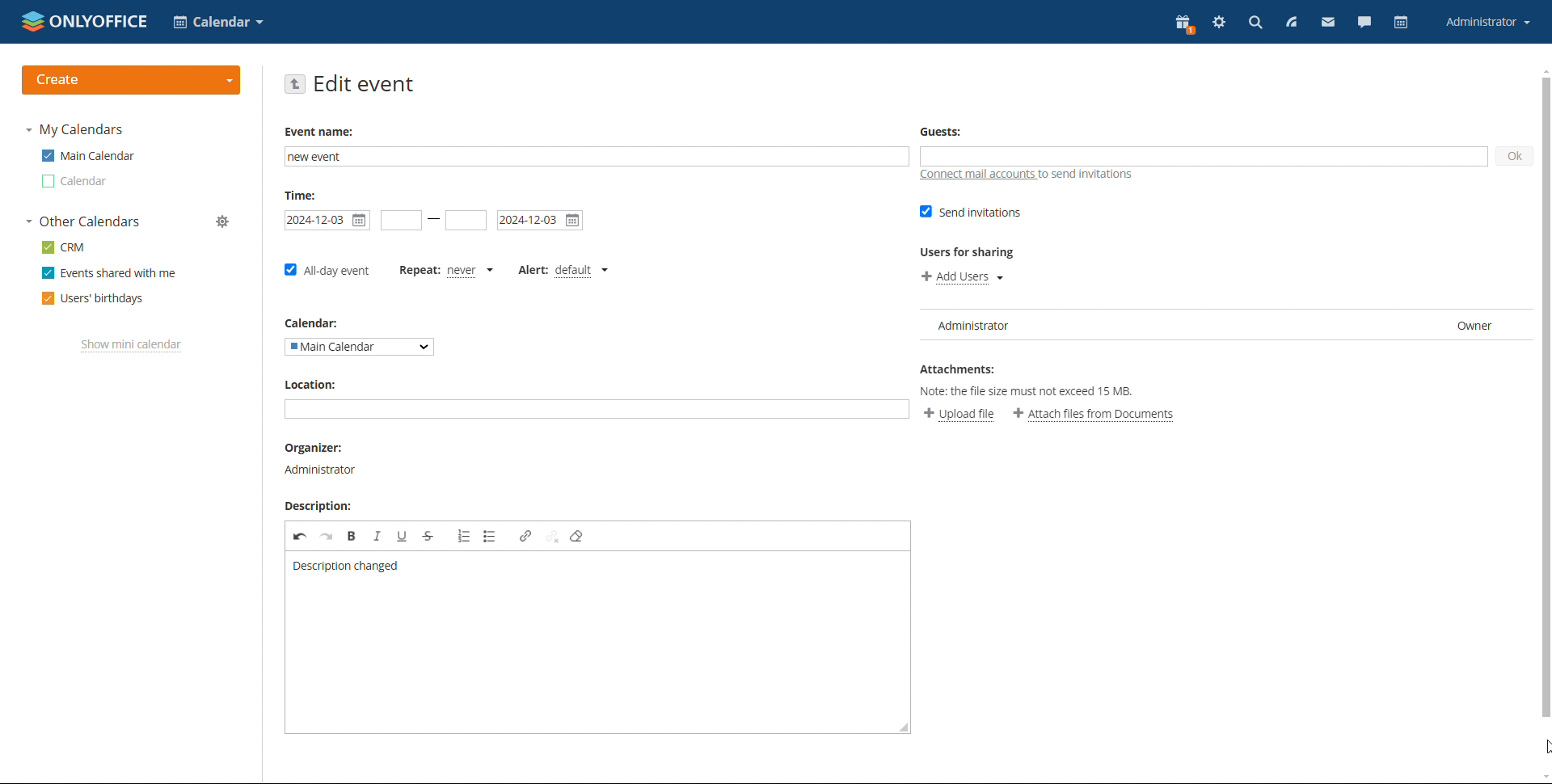  What do you see at coordinates (590, 651) in the screenshot?
I see `space to edit description` at bounding box center [590, 651].